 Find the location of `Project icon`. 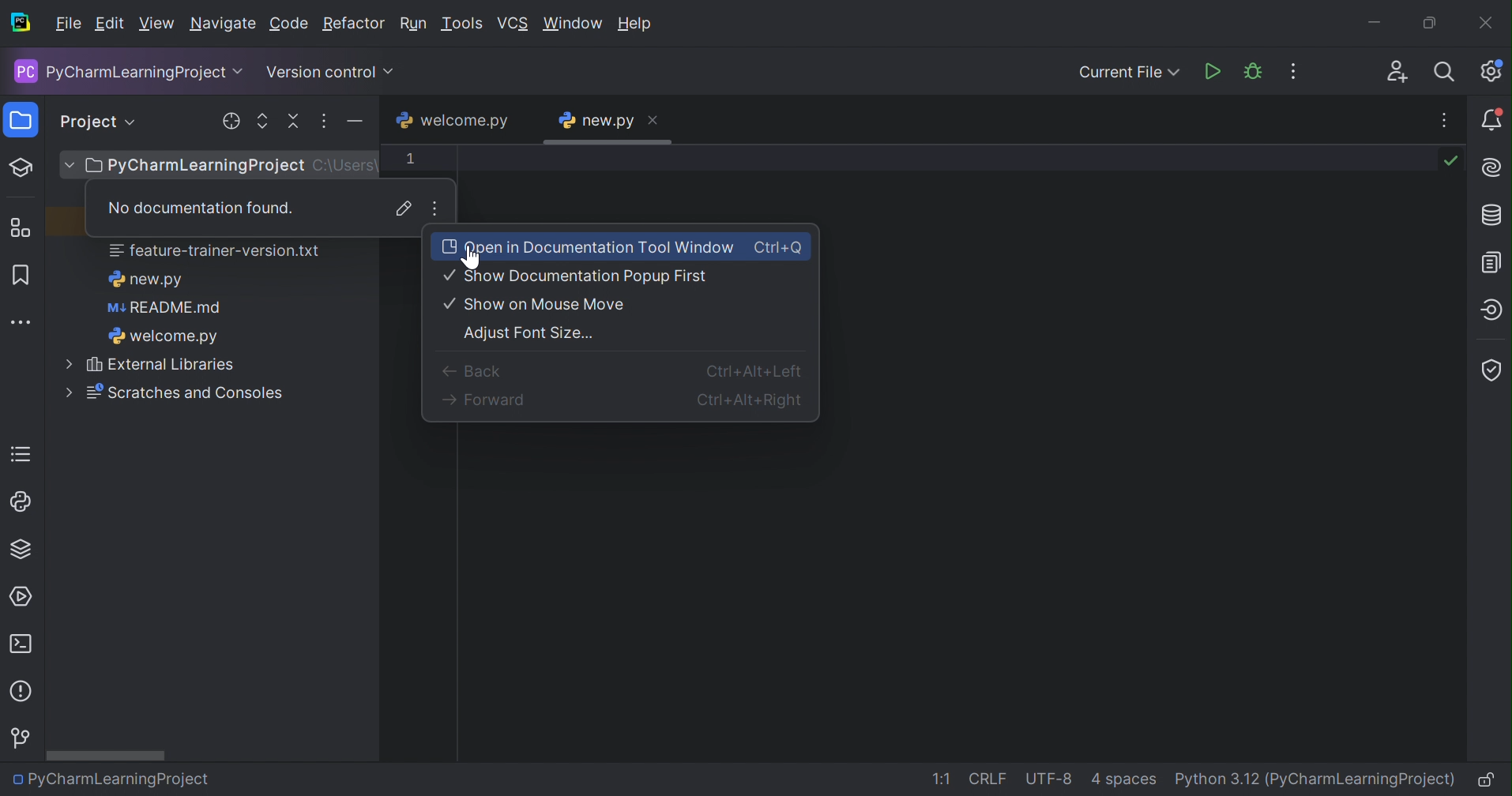

Project icon is located at coordinates (17, 121).